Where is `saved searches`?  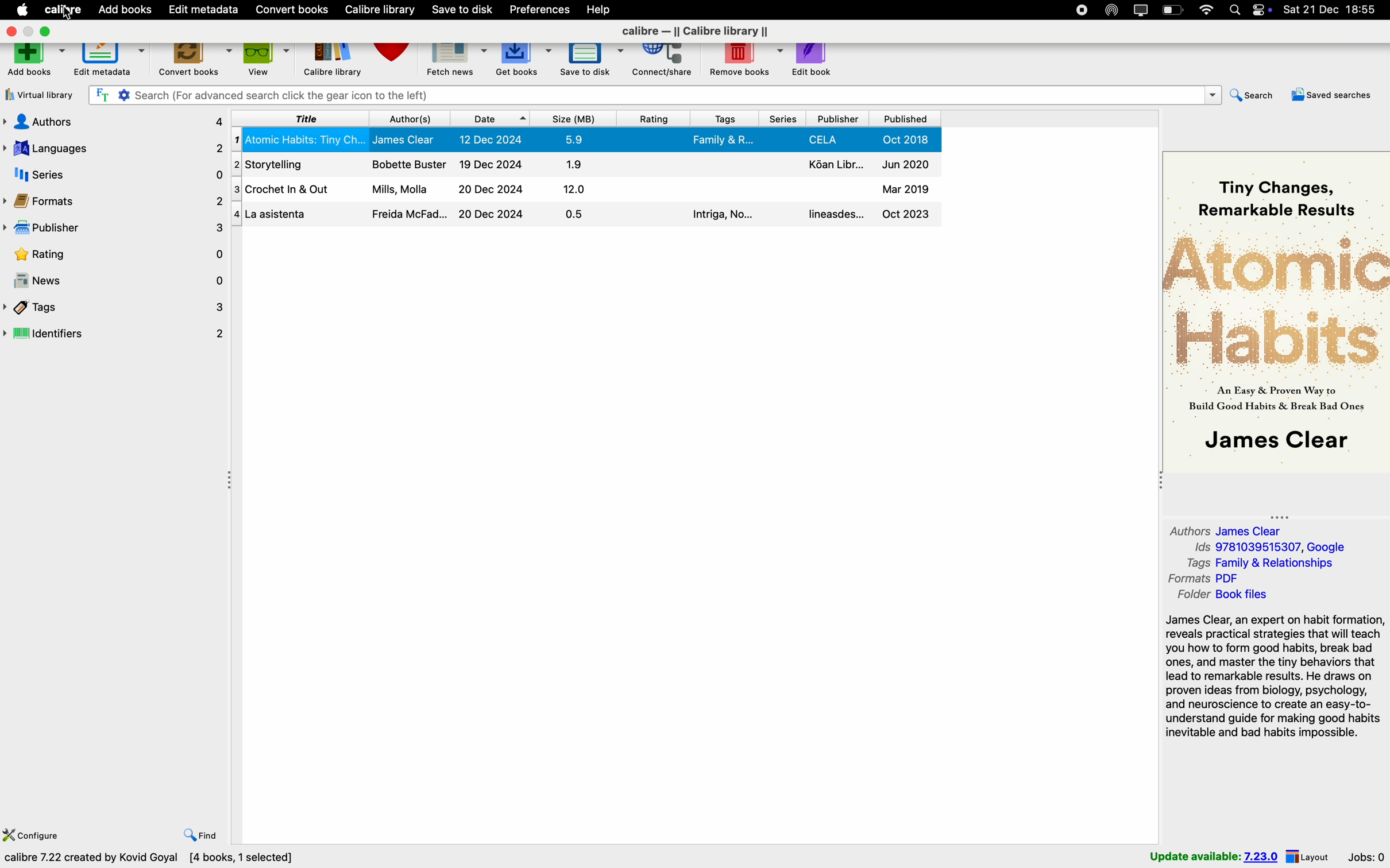
saved searches is located at coordinates (1330, 98).